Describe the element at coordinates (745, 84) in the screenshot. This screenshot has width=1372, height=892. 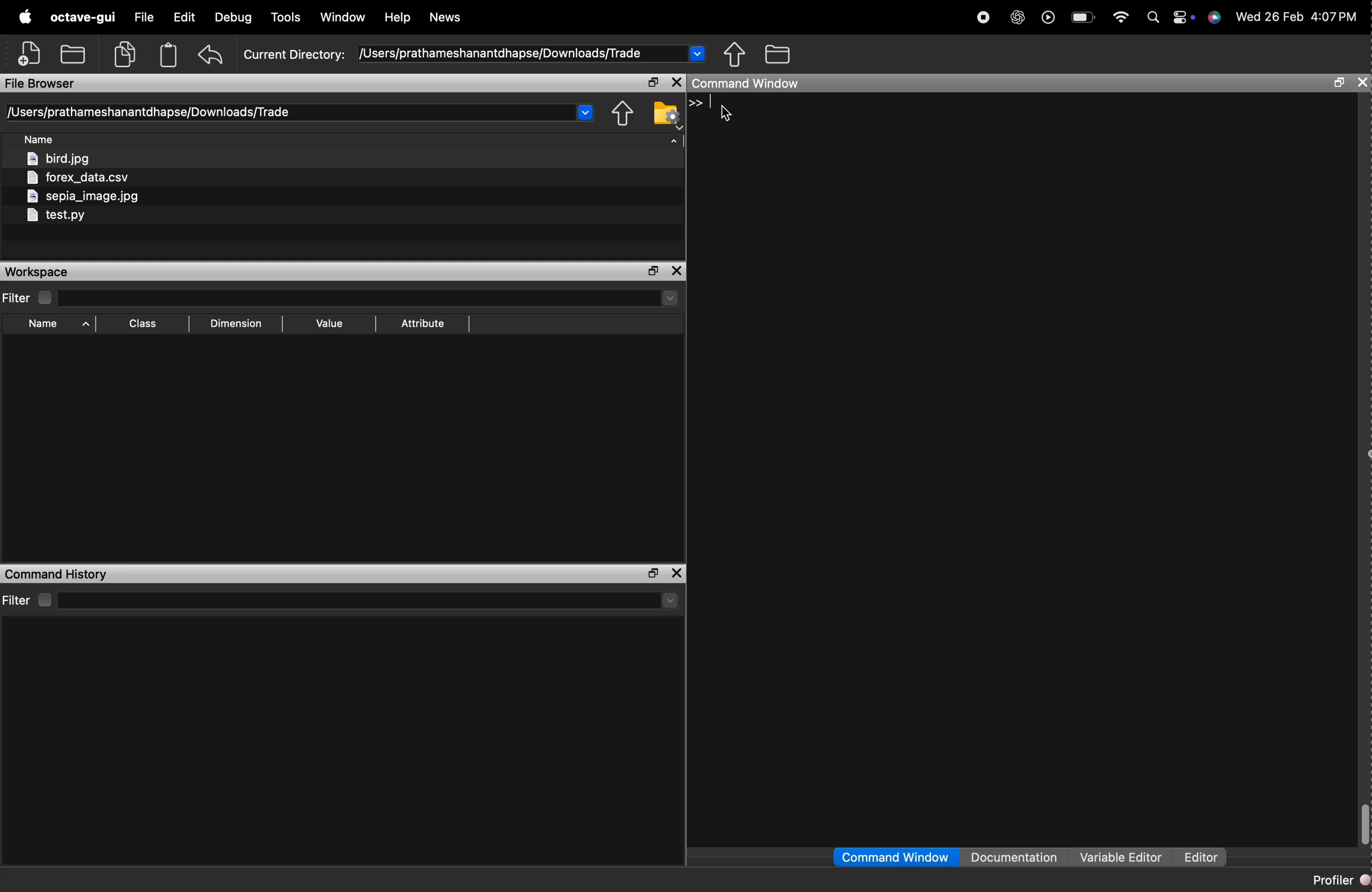
I see `Command Window` at that location.